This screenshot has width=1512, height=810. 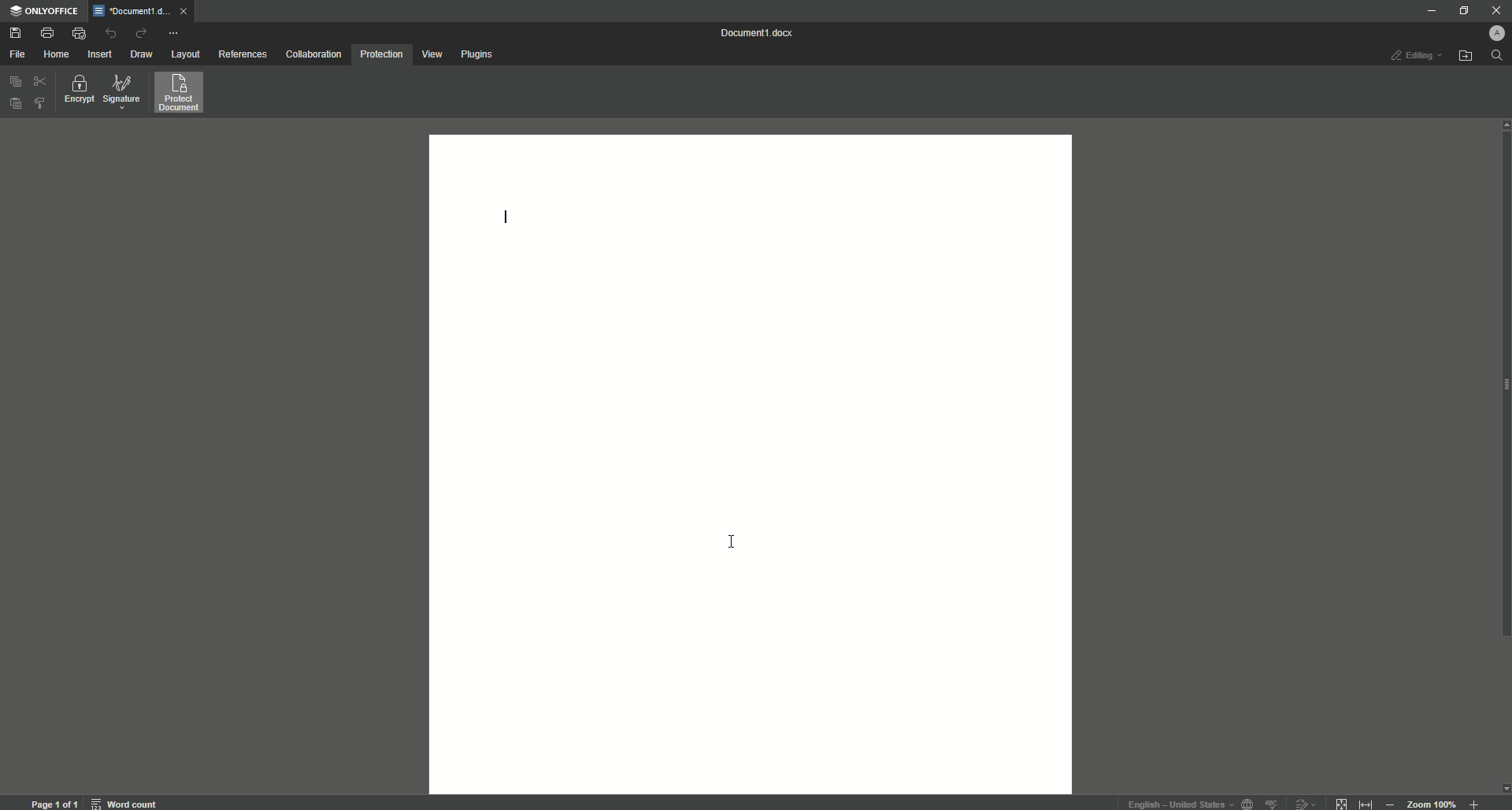 I want to click on Zoom out, so click(x=1389, y=801).